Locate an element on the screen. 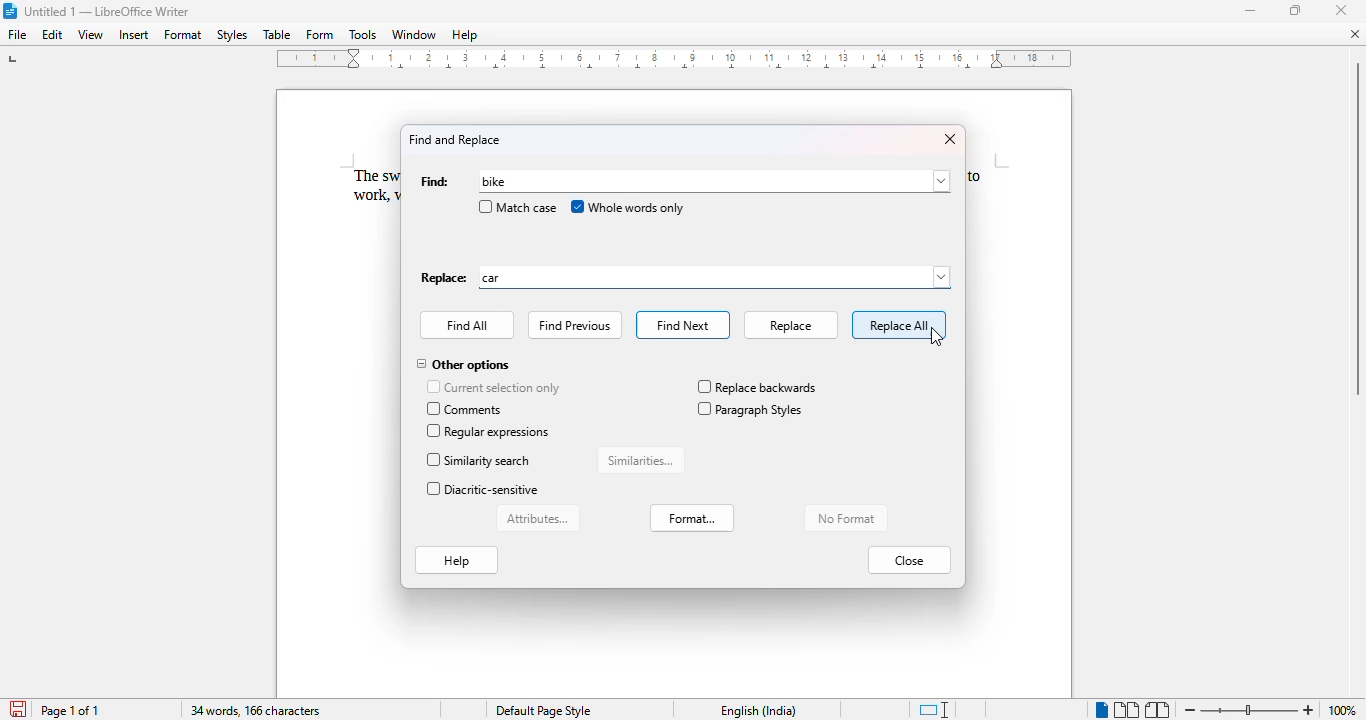 The image size is (1366, 720). regular expressions is located at coordinates (490, 431).